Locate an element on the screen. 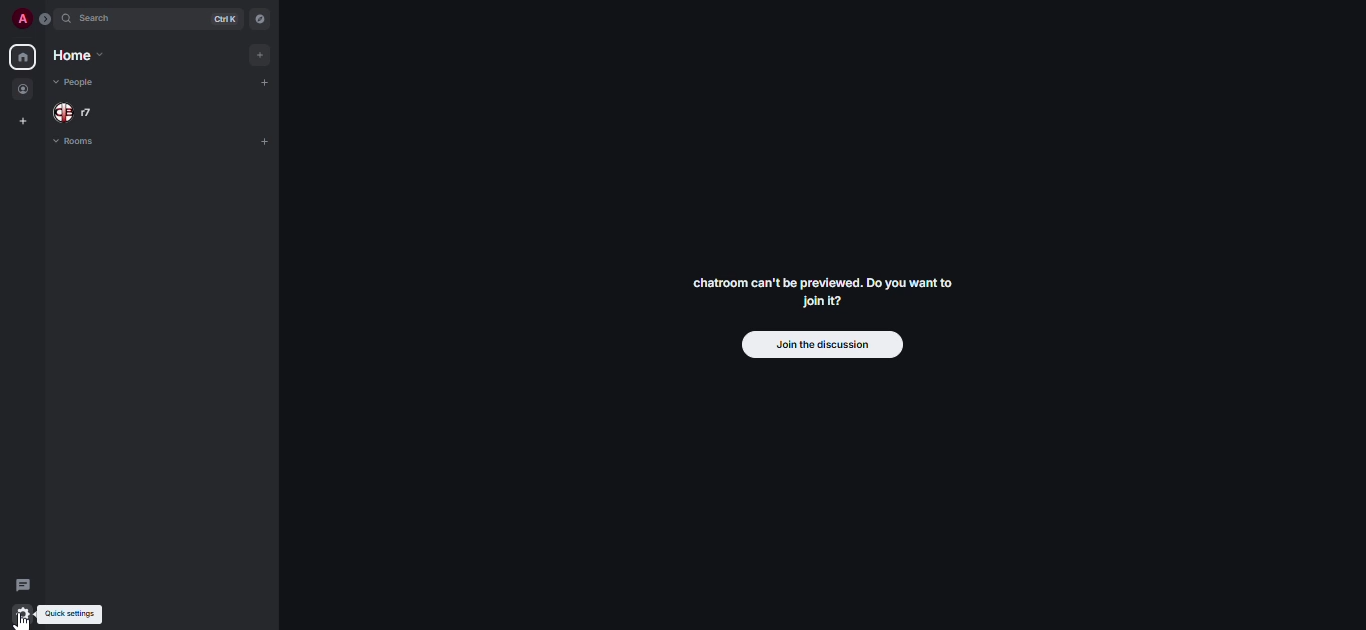  profile is located at coordinates (20, 18).